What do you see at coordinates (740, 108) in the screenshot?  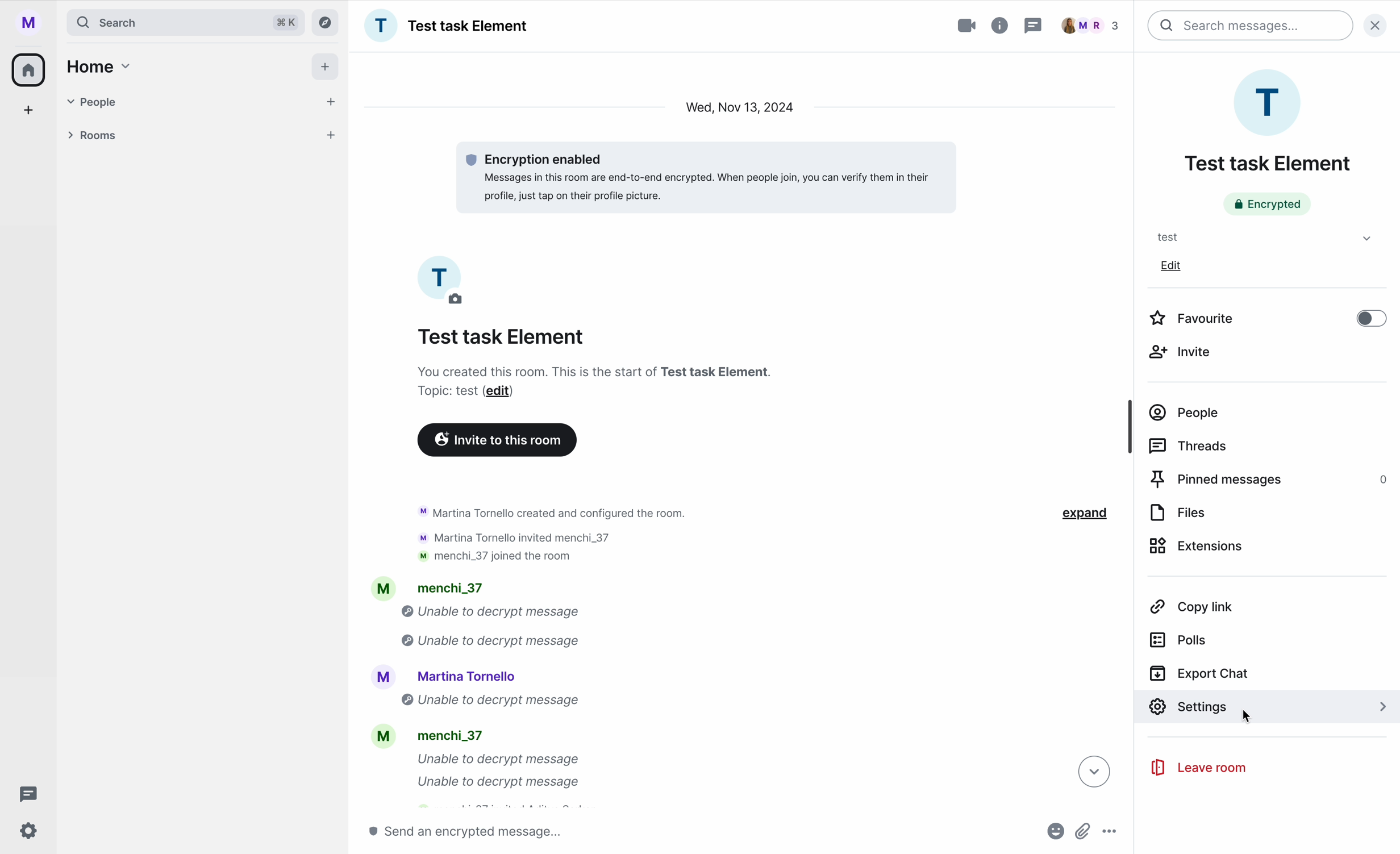 I see `date` at bounding box center [740, 108].